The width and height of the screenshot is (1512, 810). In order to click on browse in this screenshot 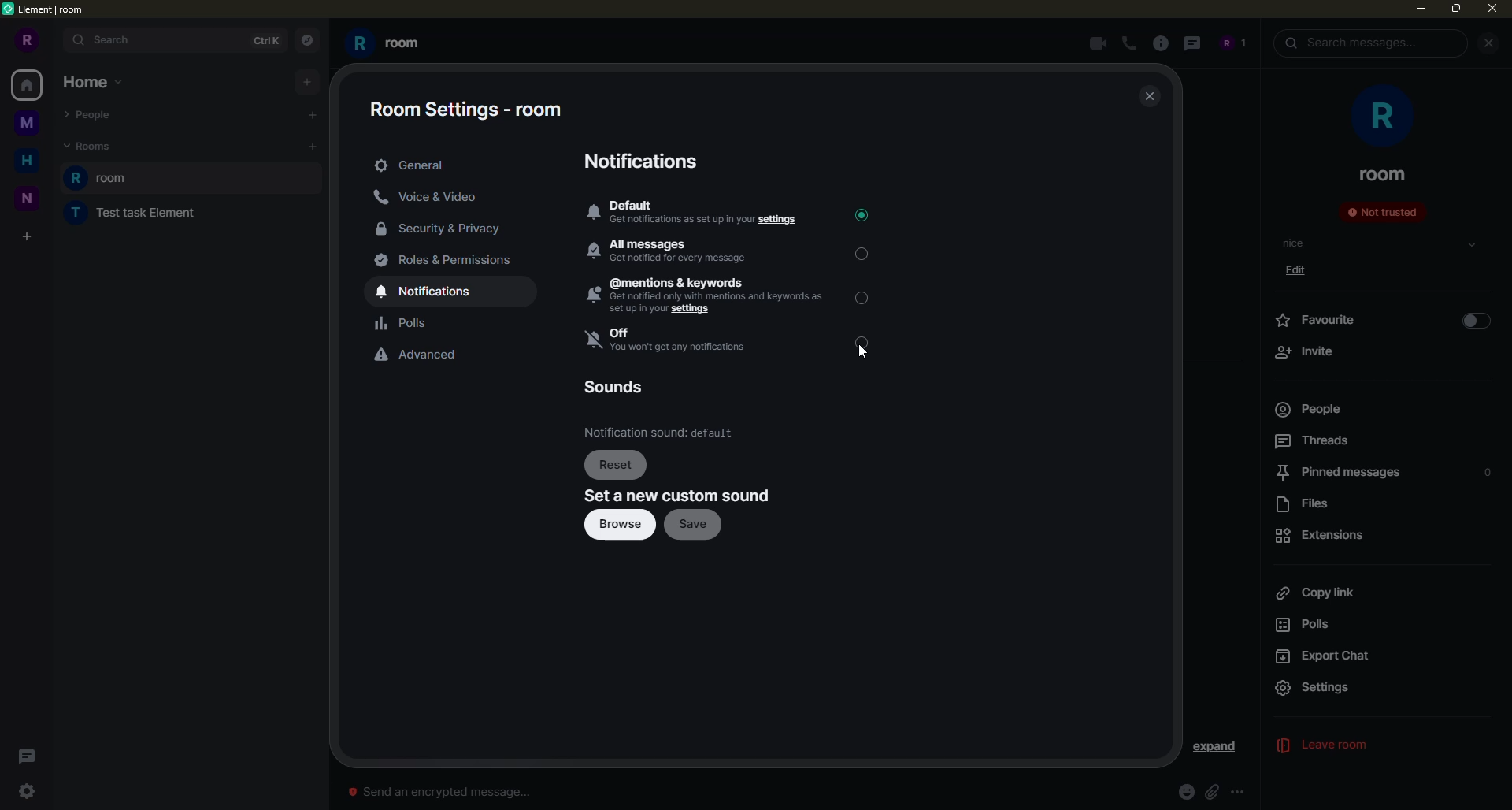, I will do `click(621, 526)`.